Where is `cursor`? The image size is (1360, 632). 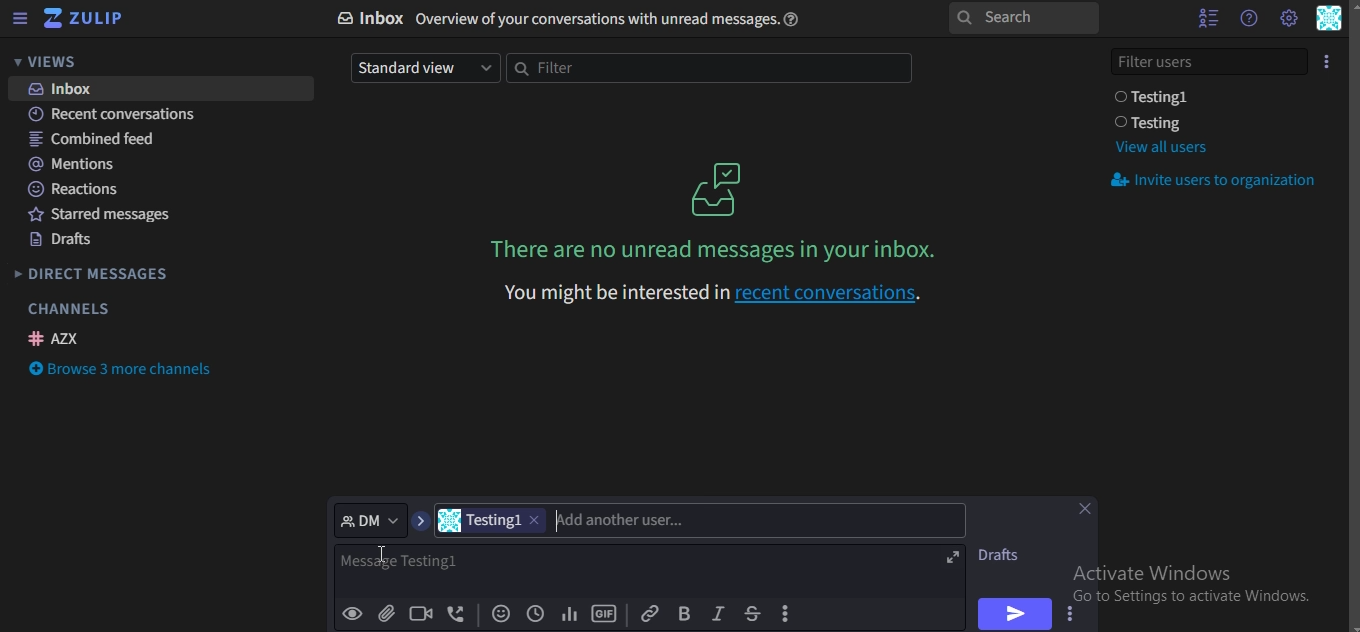 cursor is located at coordinates (384, 559).